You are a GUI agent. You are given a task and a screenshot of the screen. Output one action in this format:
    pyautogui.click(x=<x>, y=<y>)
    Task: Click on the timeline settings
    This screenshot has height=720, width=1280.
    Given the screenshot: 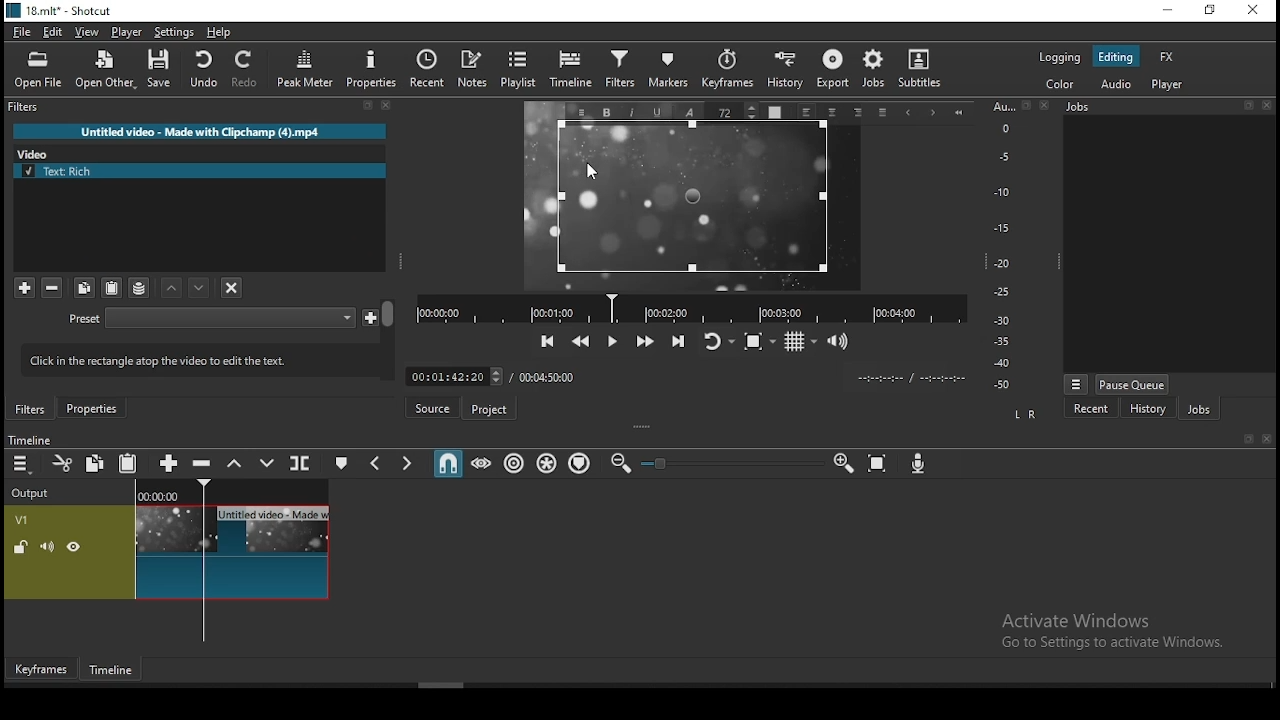 What is the action you would take?
    pyautogui.click(x=22, y=462)
    